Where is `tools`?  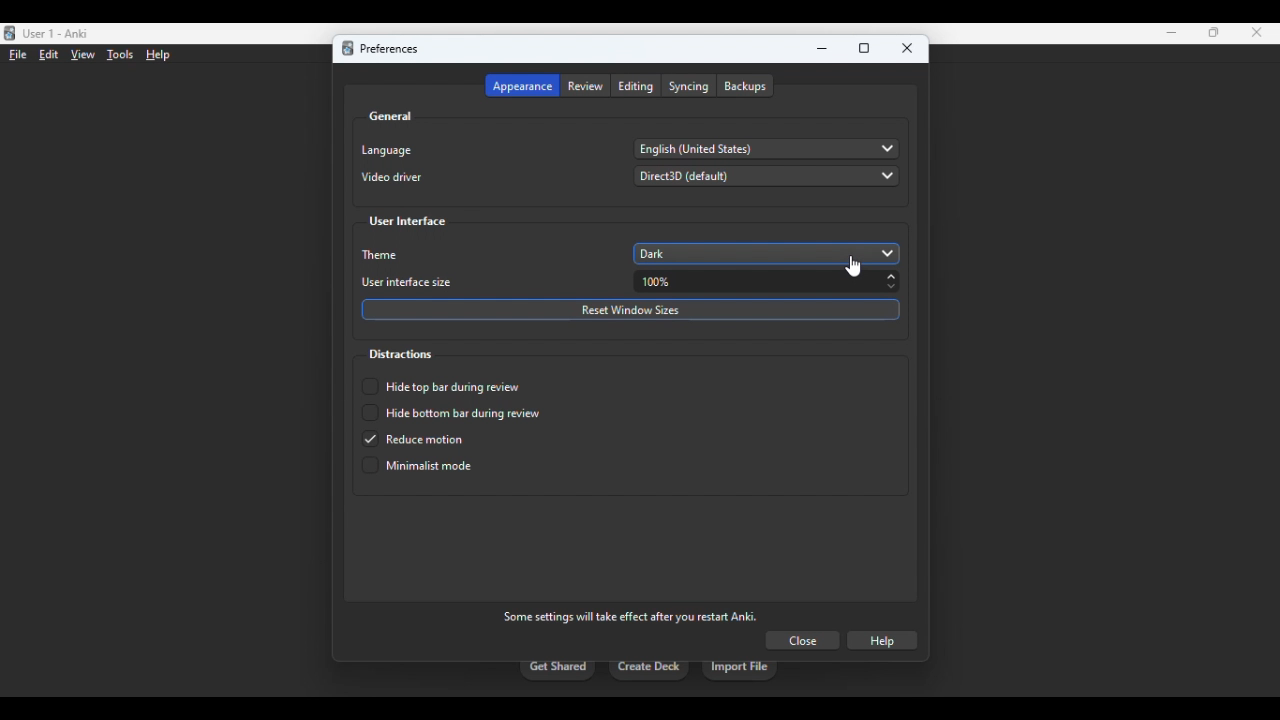 tools is located at coordinates (122, 55).